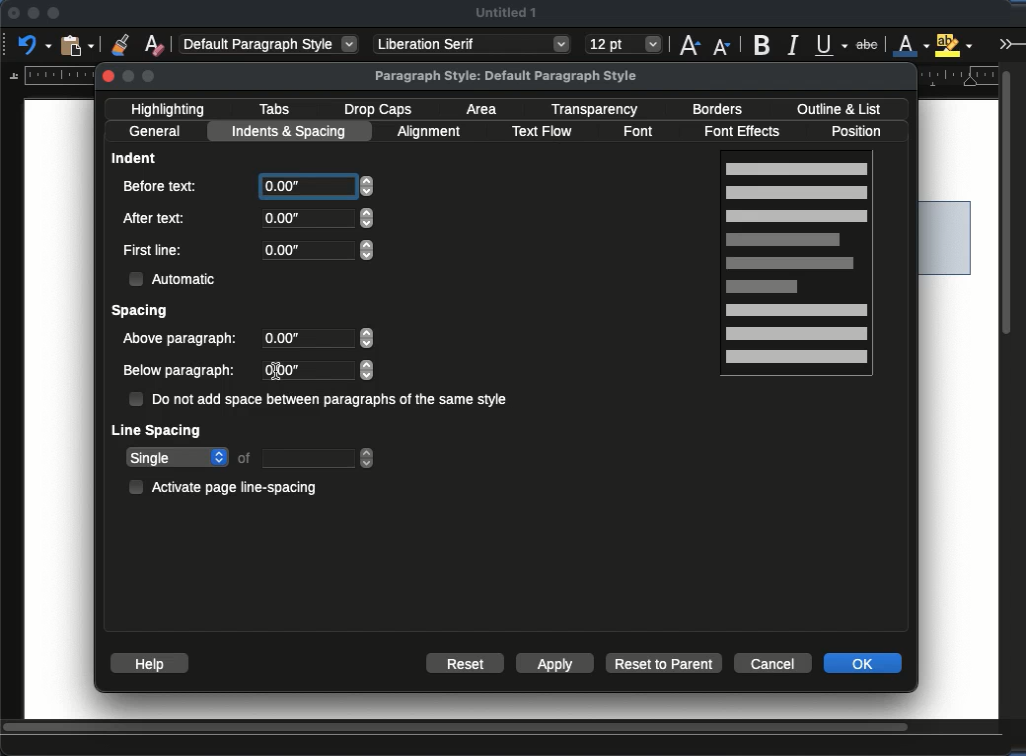  I want to click on line spacing, so click(158, 433).